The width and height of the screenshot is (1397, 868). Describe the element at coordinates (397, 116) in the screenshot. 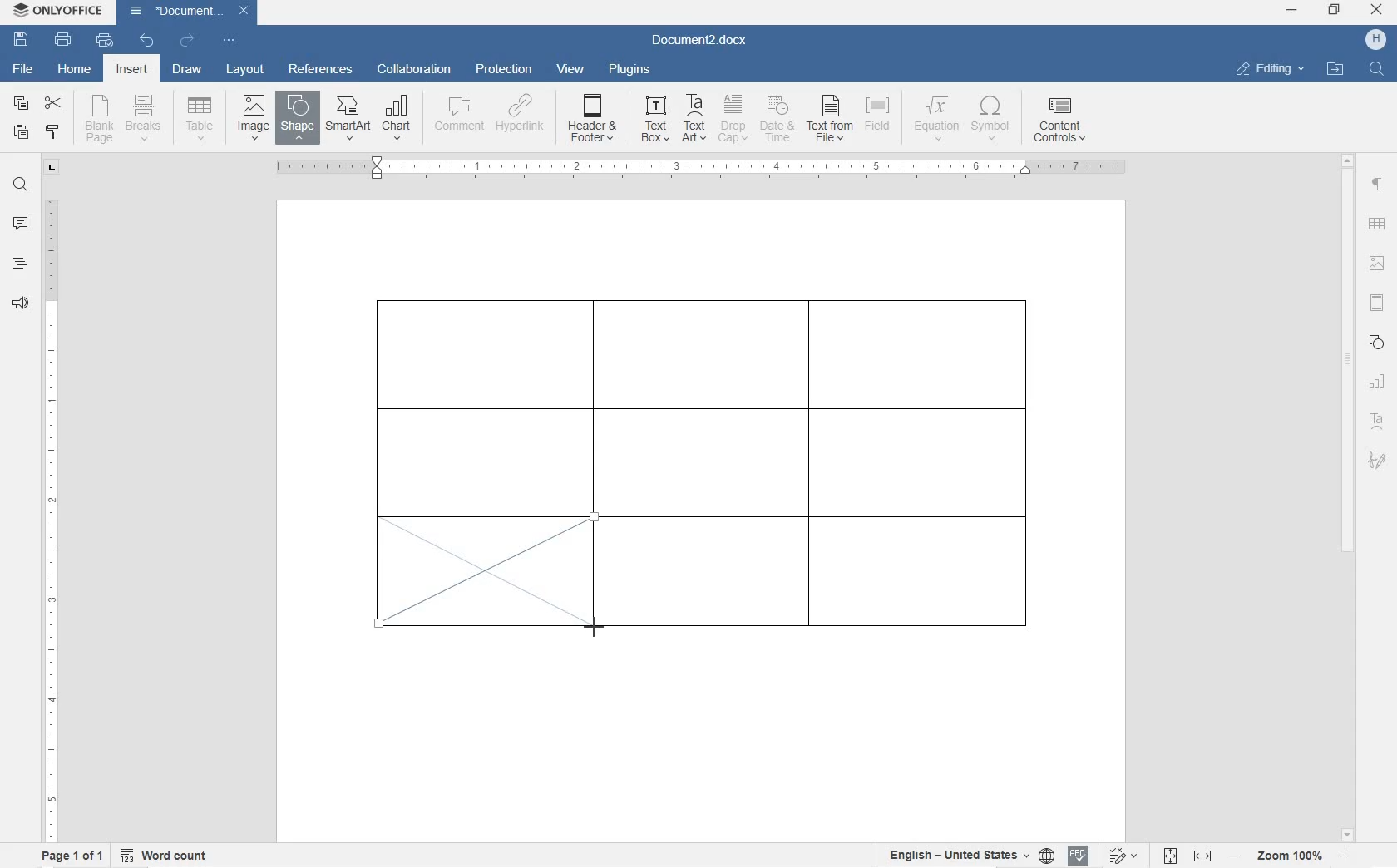

I see `CHART` at that location.